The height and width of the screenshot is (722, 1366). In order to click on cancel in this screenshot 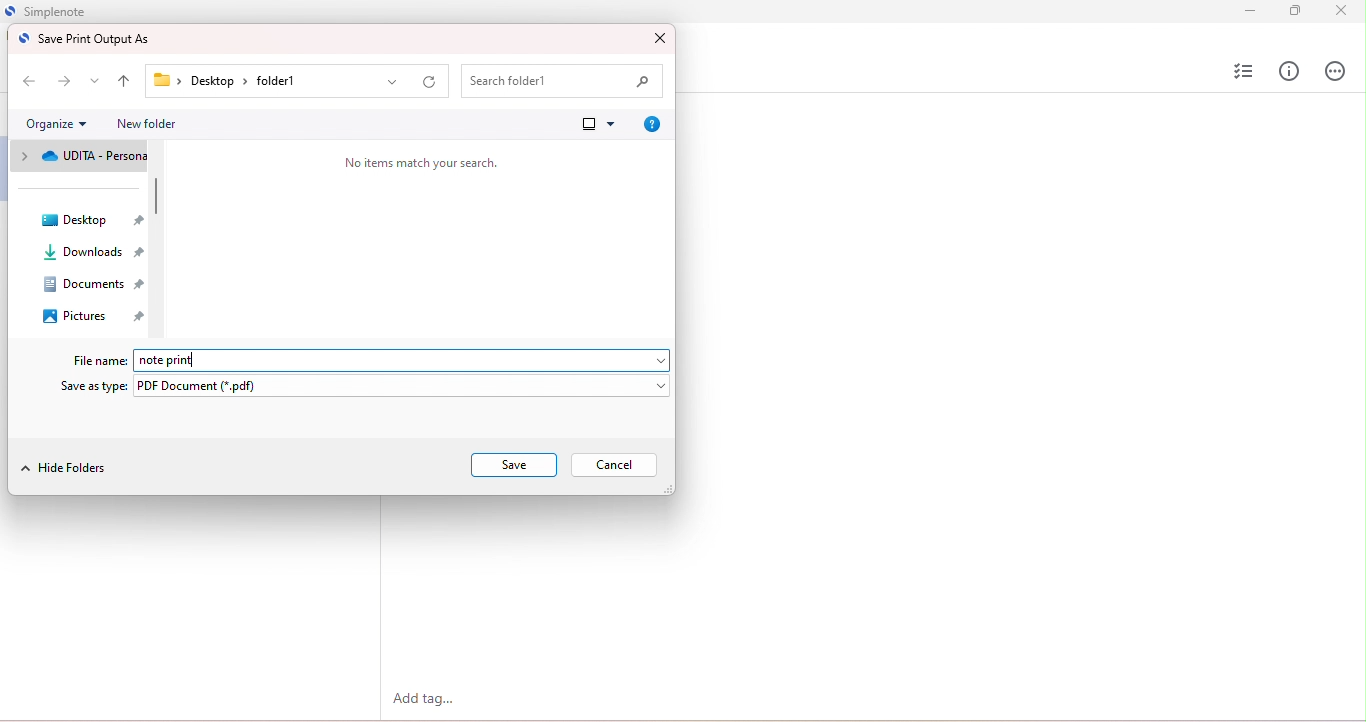, I will do `click(615, 465)`.